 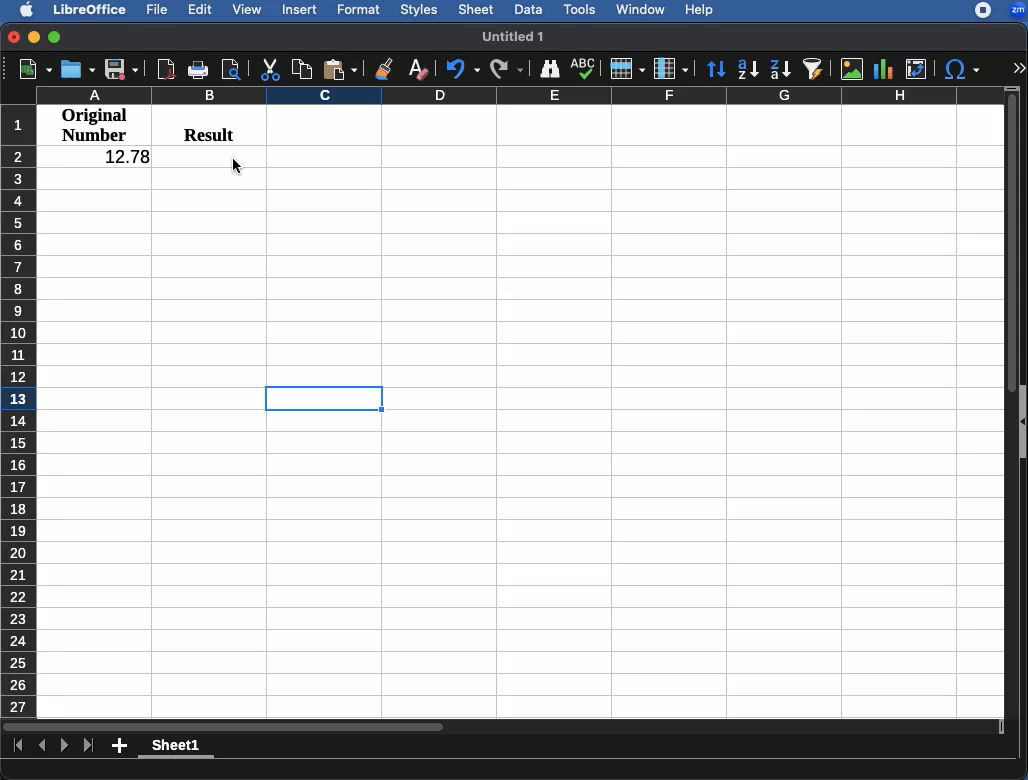 I want to click on Chart, so click(x=885, y=67).